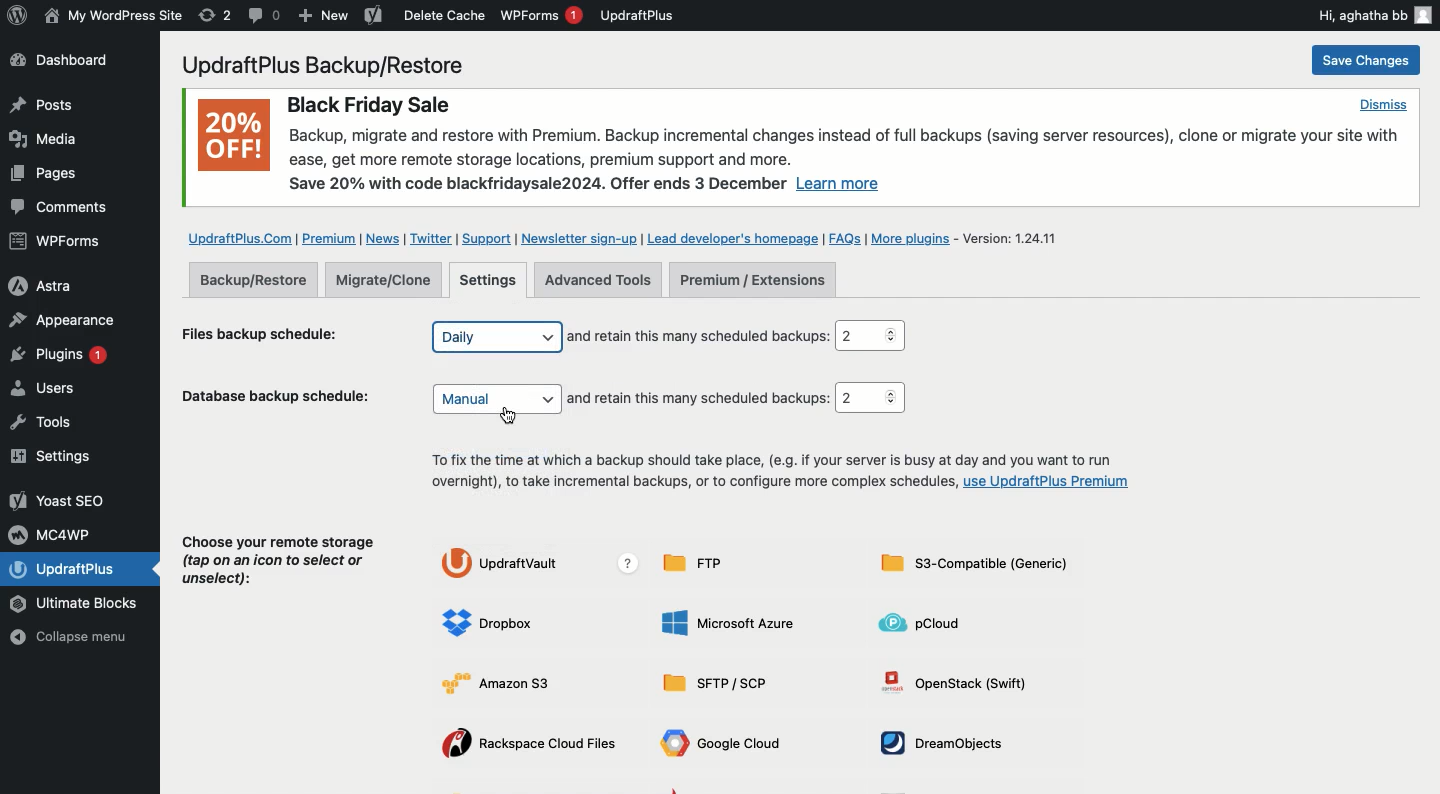  I want to click on WPForms 1, so click(541, 15).